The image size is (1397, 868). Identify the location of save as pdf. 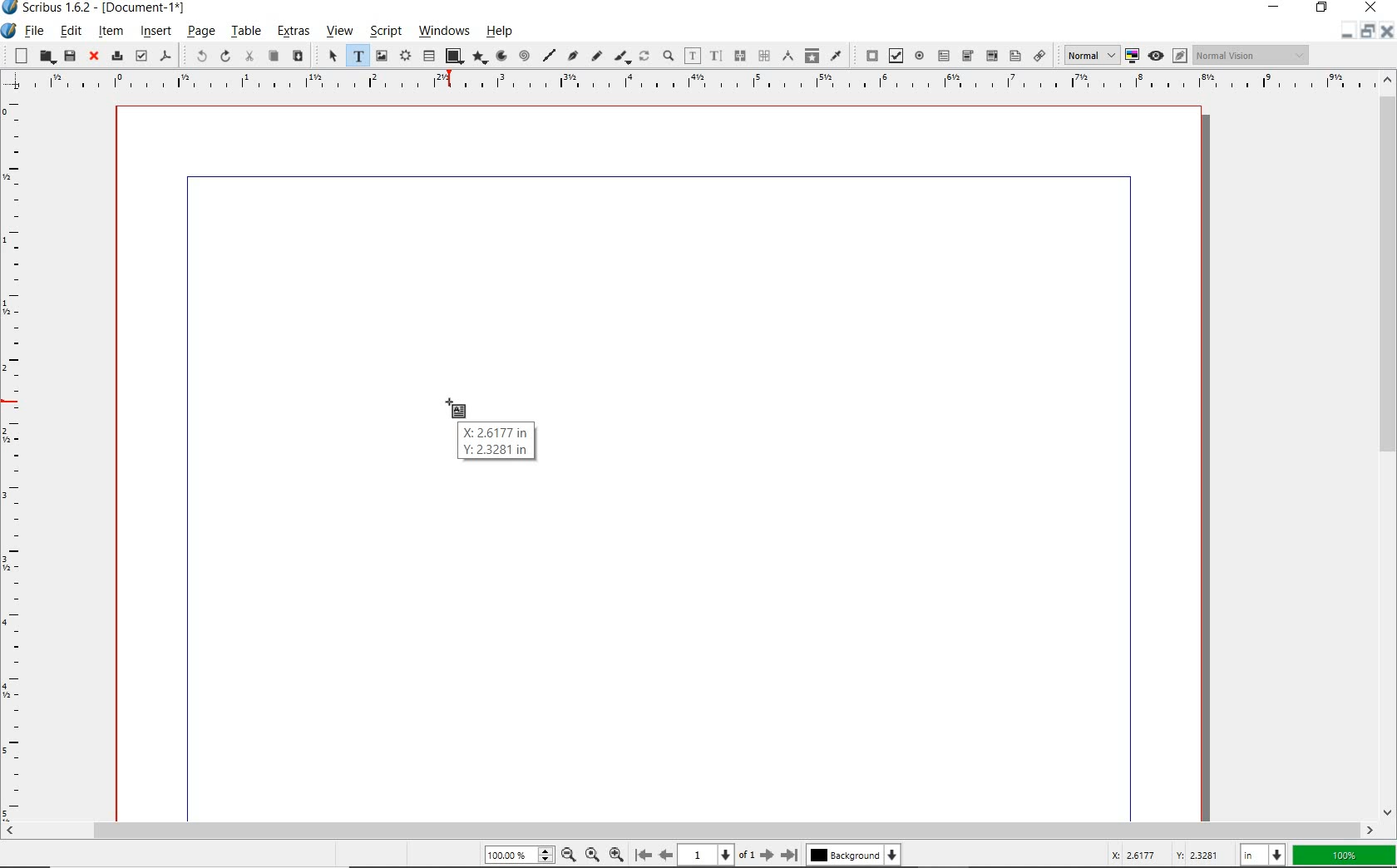
(165, 56).